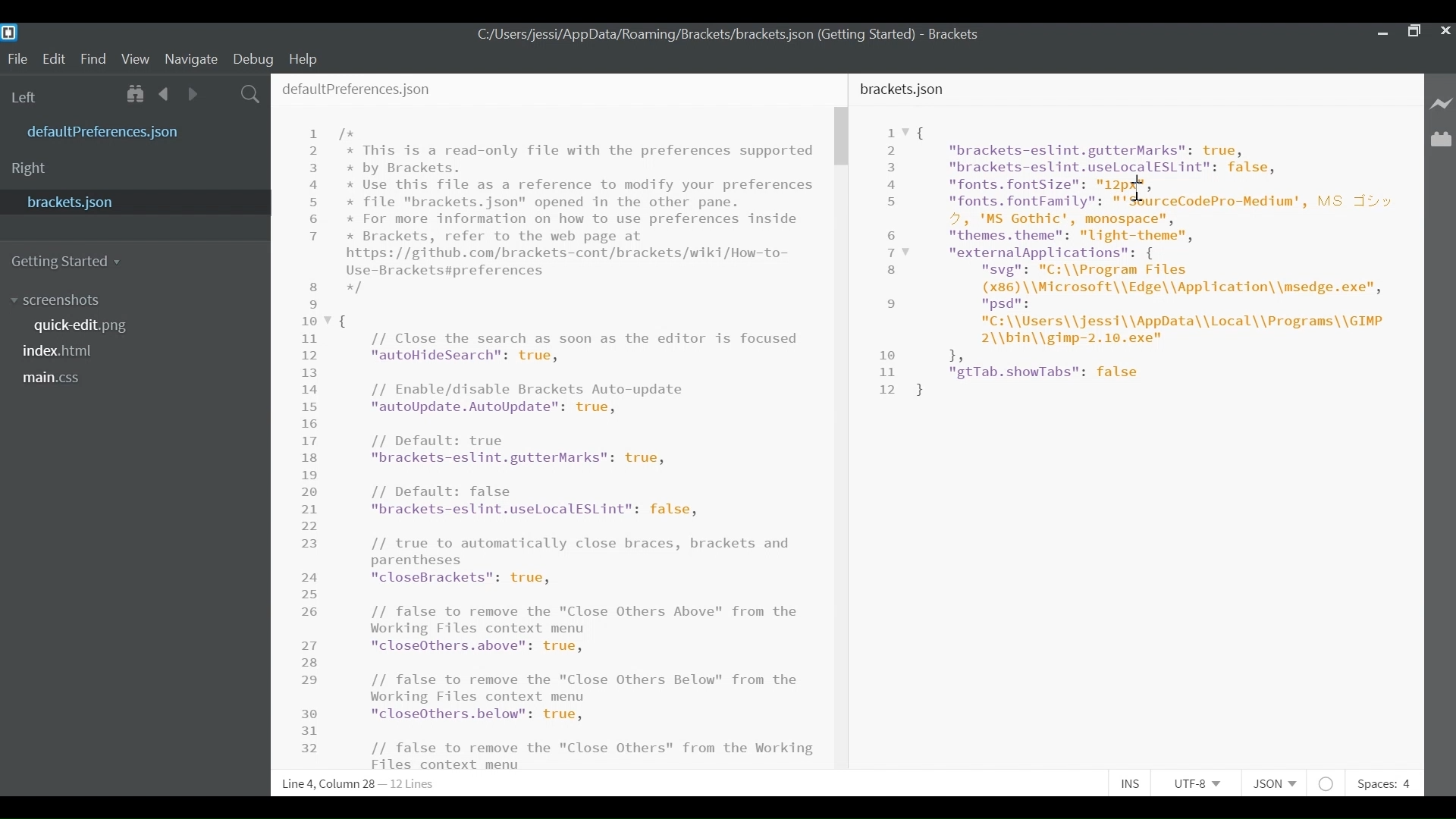 This screenshot has width=1456, height=819. I want to click on Live Preview, so click(1442, 103).